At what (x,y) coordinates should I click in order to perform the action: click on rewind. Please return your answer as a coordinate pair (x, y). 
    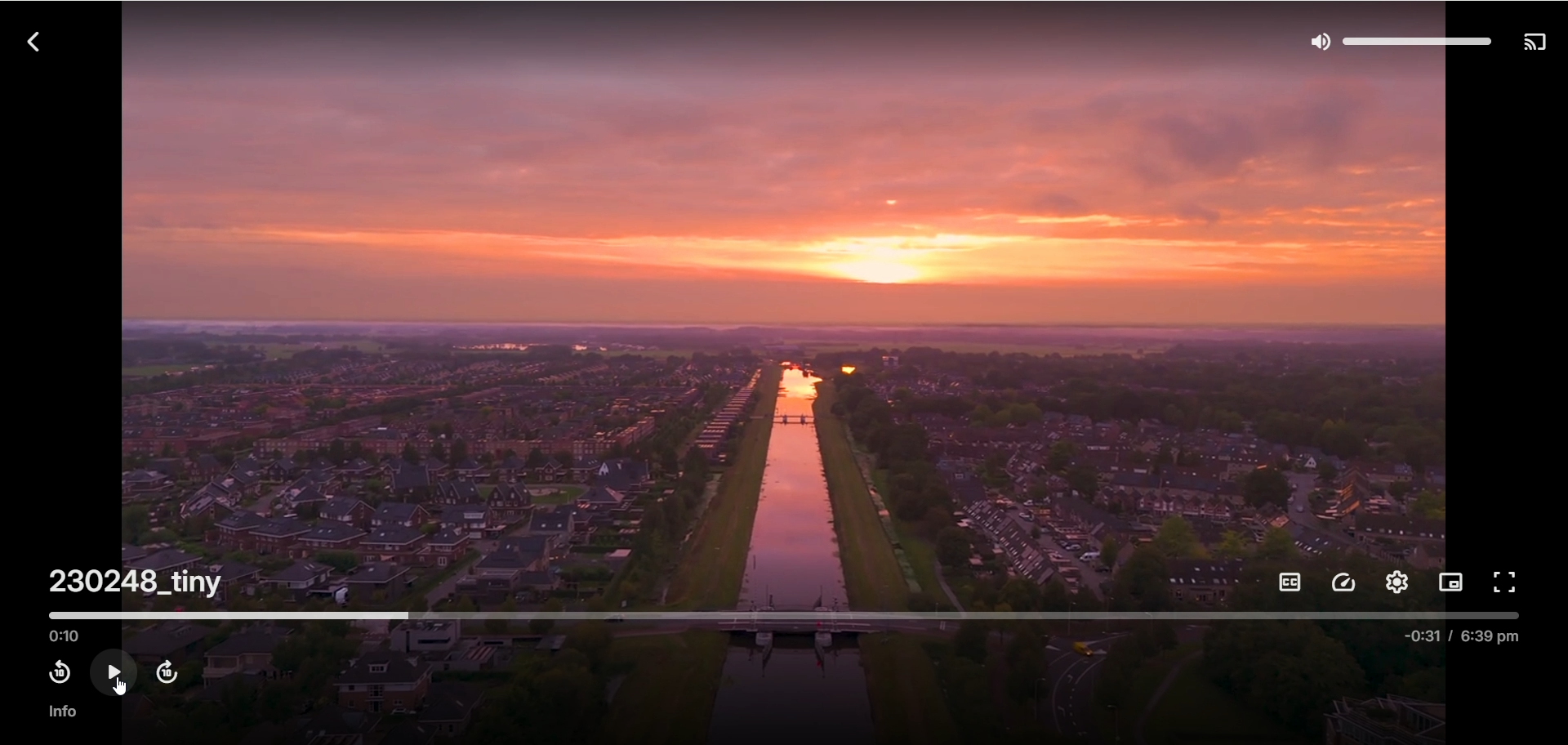
    Looking at the image, I should click on (57, 672).